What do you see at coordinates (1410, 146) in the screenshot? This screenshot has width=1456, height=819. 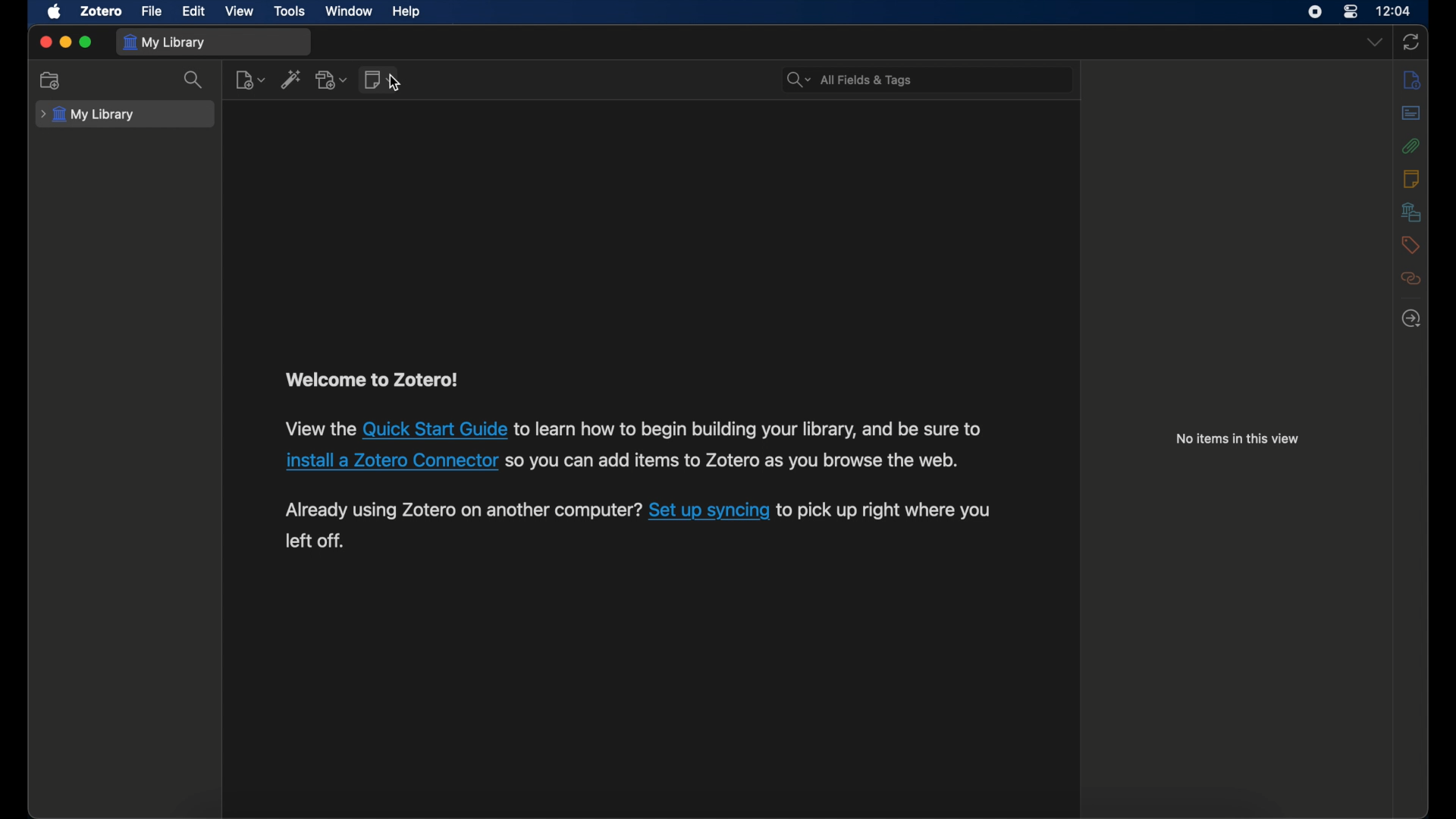 I see `attachments` at bounding box center [1410, 146].